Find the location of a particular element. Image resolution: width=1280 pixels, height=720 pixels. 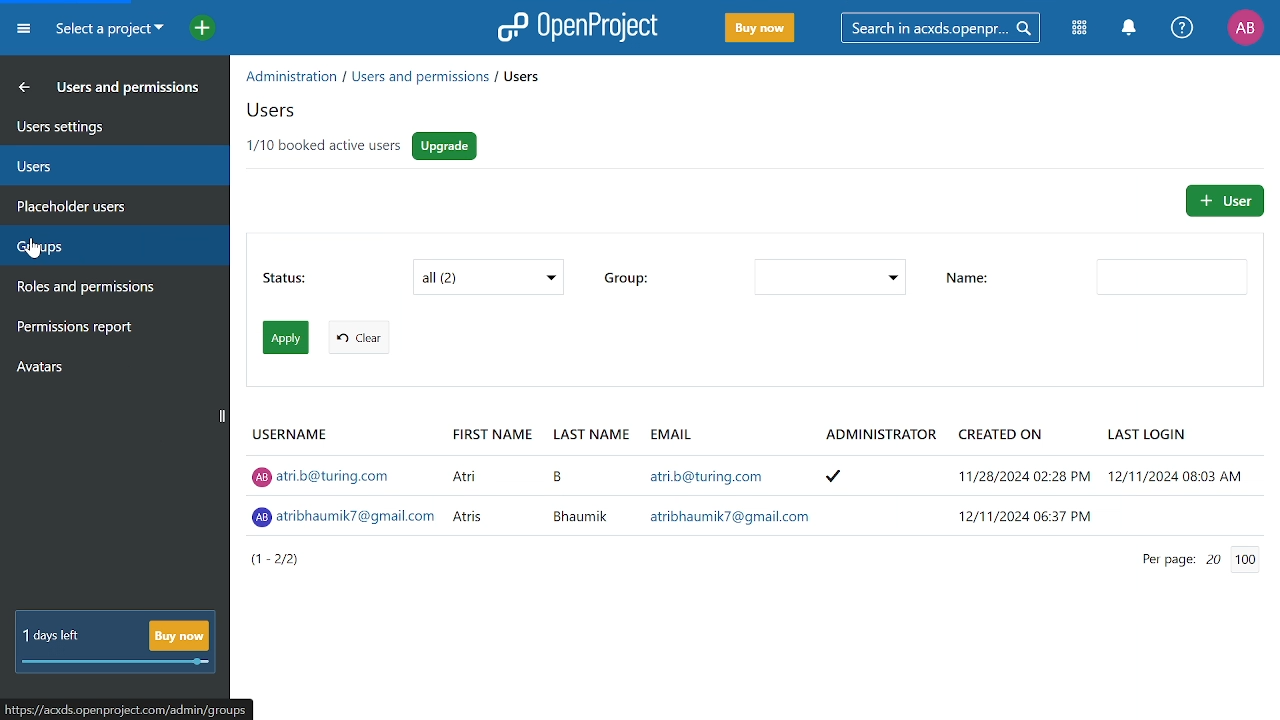

Per page user count is located at coordinates (1205, 558).